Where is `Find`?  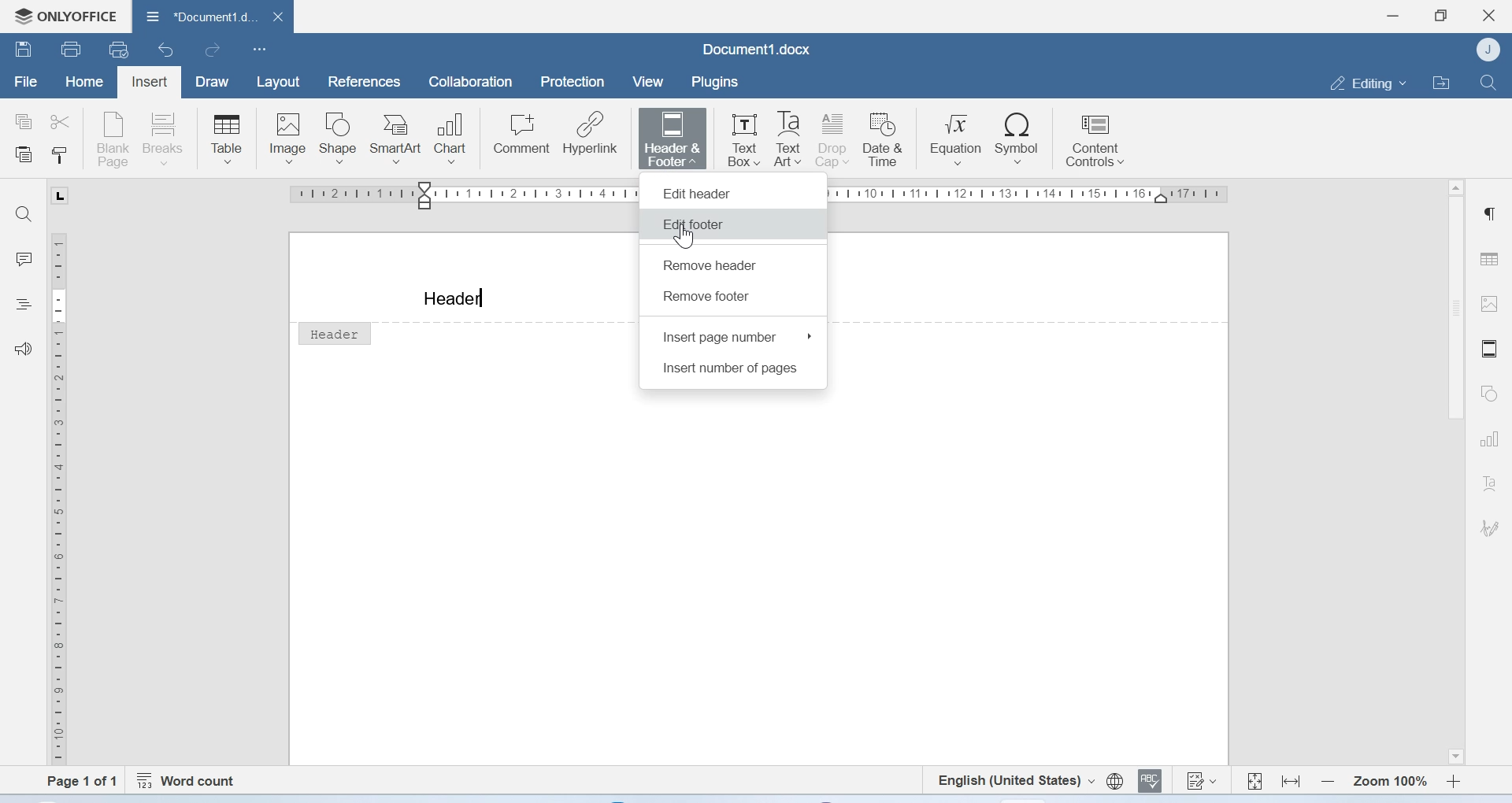 Find is located at coordinates (28, 214).